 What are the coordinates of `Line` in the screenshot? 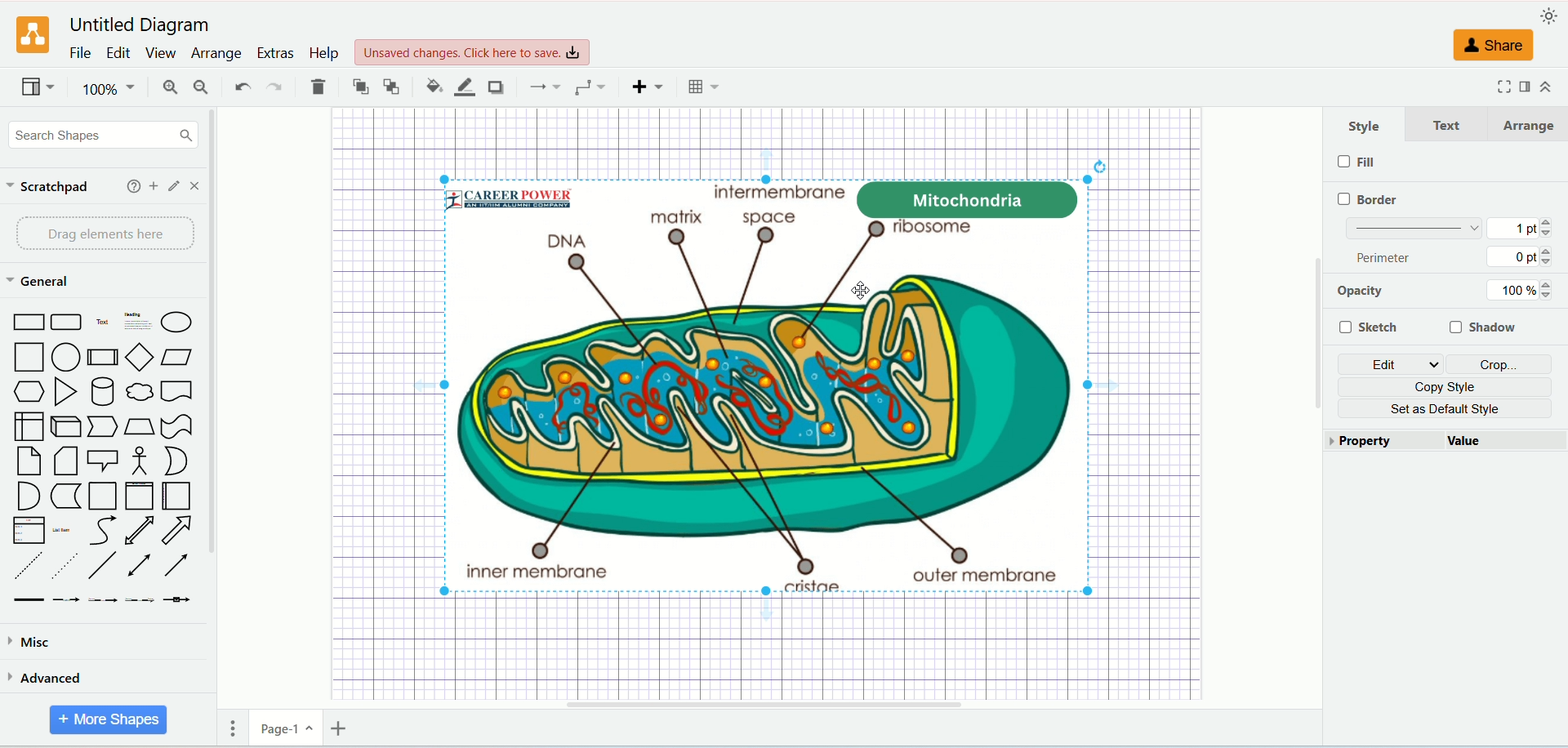 It's located at (104, 568).